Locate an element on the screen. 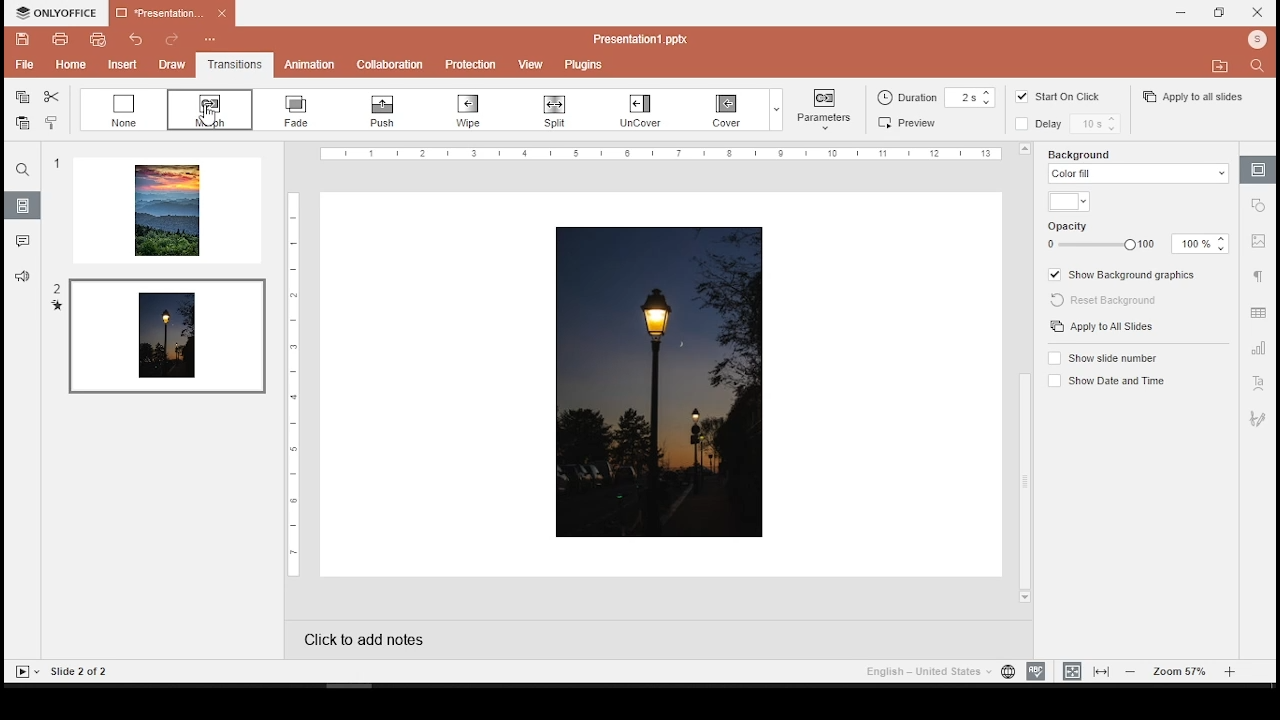 The image size is (1280, 720). slide style is located at coordinates (1019, 99).